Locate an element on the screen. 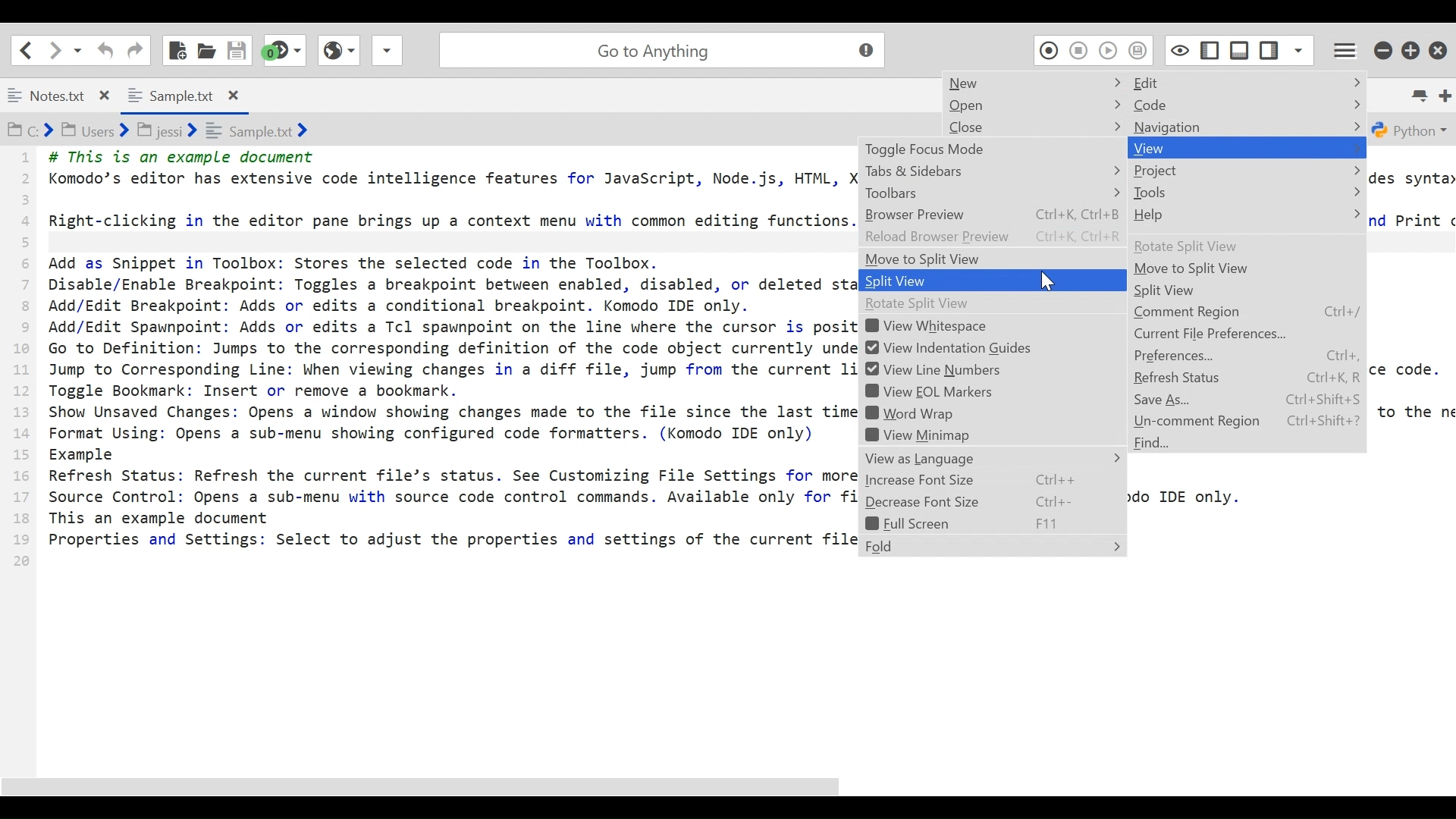  Save File is located at coordinates (237, 49).